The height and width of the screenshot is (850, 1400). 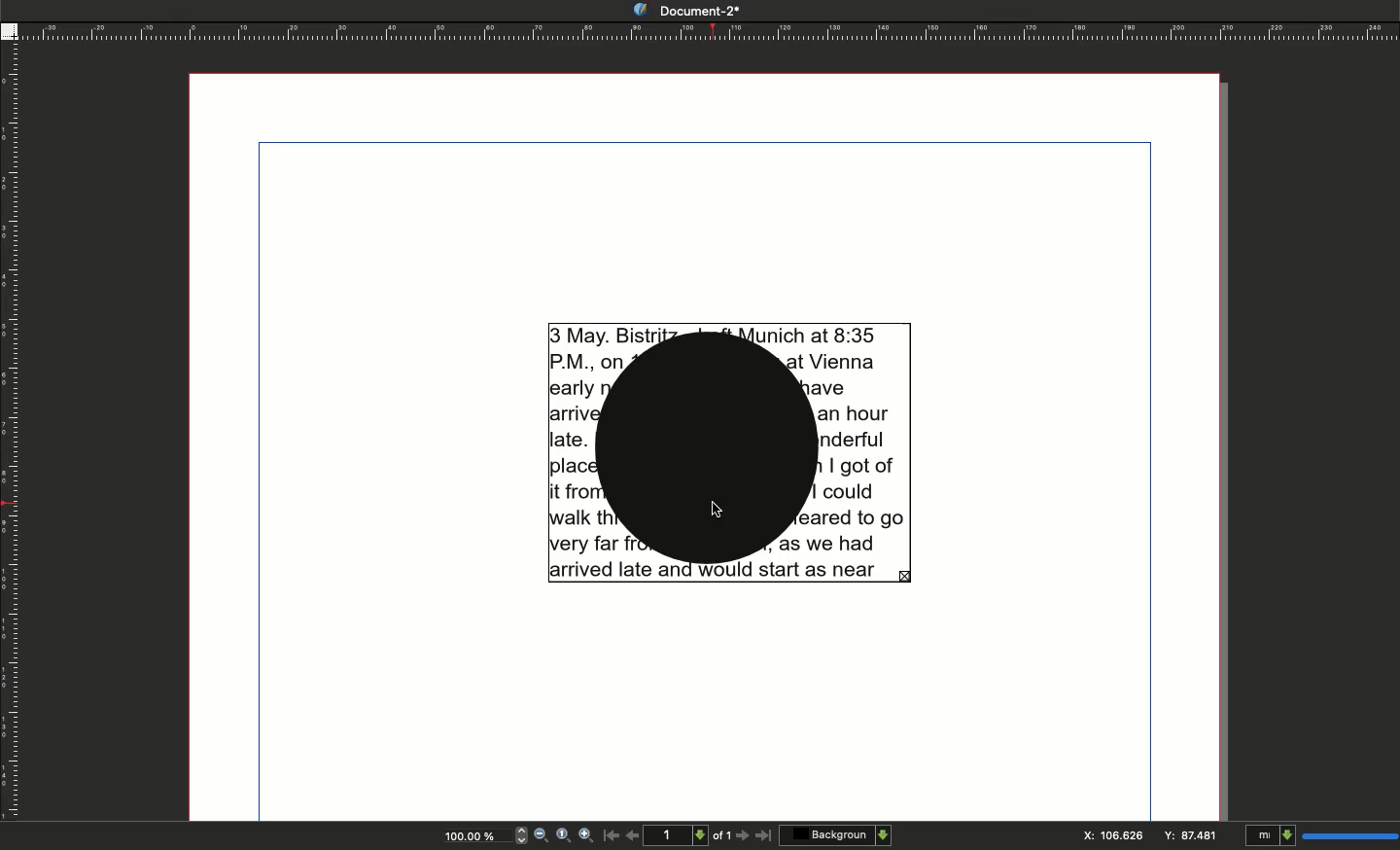 What do you see at coordinates (633, 833) in the screenshot?
I see `Previous page` at bounding box center [633, 833].